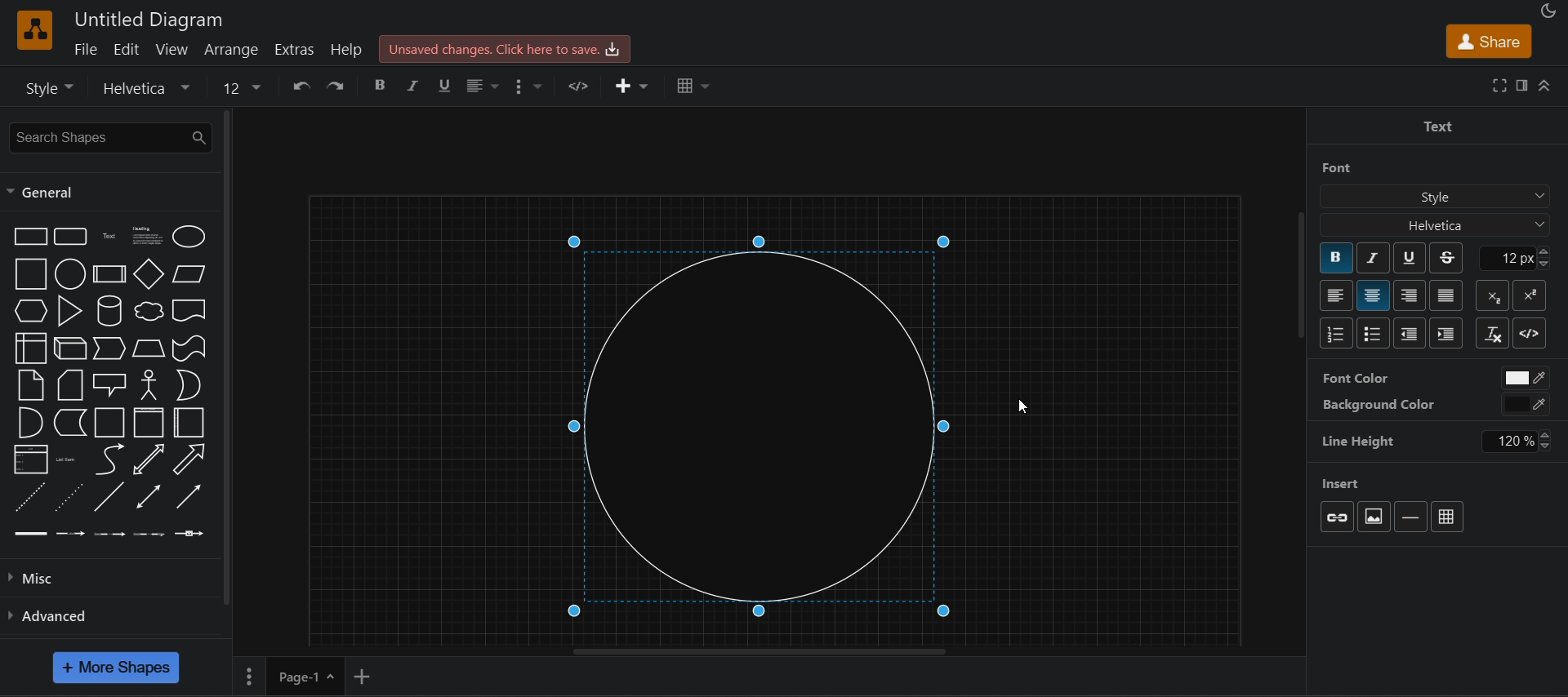 This screenshot has width=1568, height=697. I want to click on horizontal rule, so click(1410, 516).